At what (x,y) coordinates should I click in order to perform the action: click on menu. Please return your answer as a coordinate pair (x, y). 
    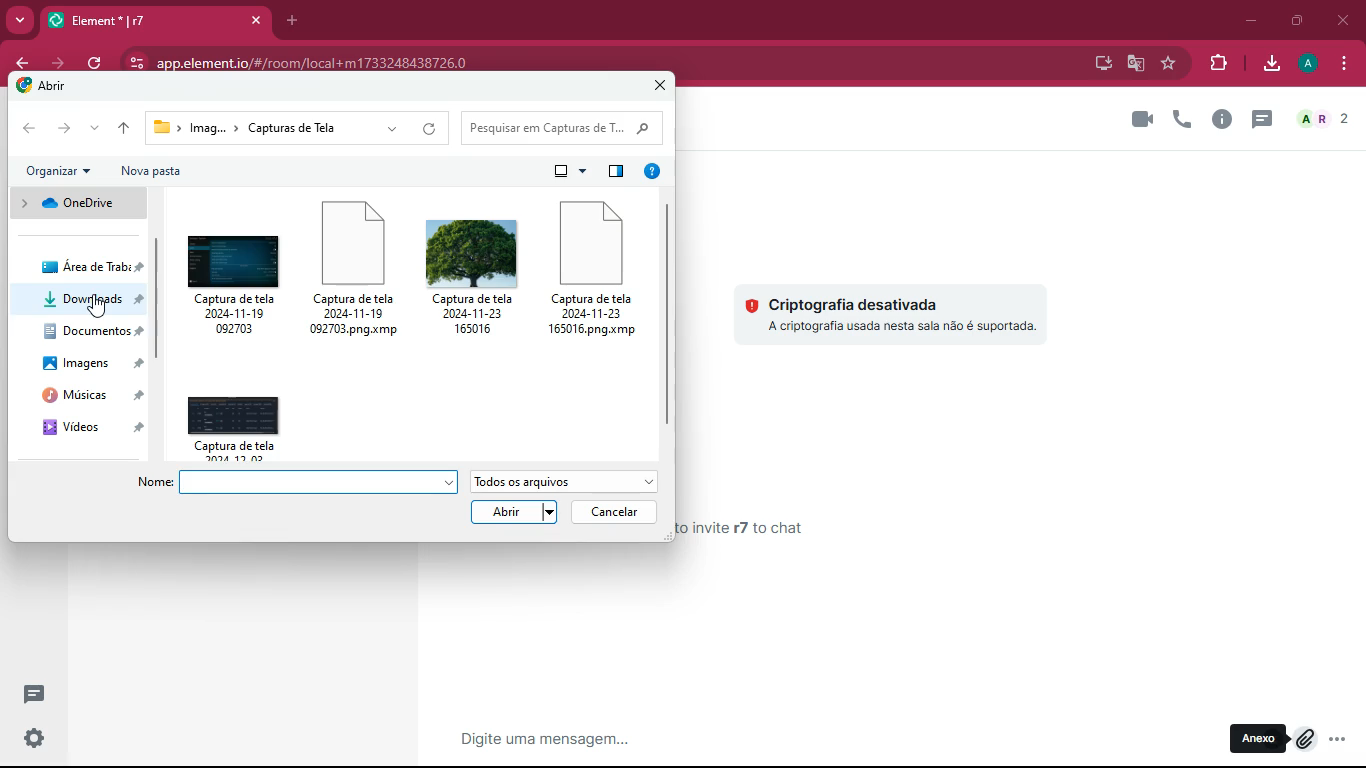
    Looking at the image, I should click on (1340, 64).